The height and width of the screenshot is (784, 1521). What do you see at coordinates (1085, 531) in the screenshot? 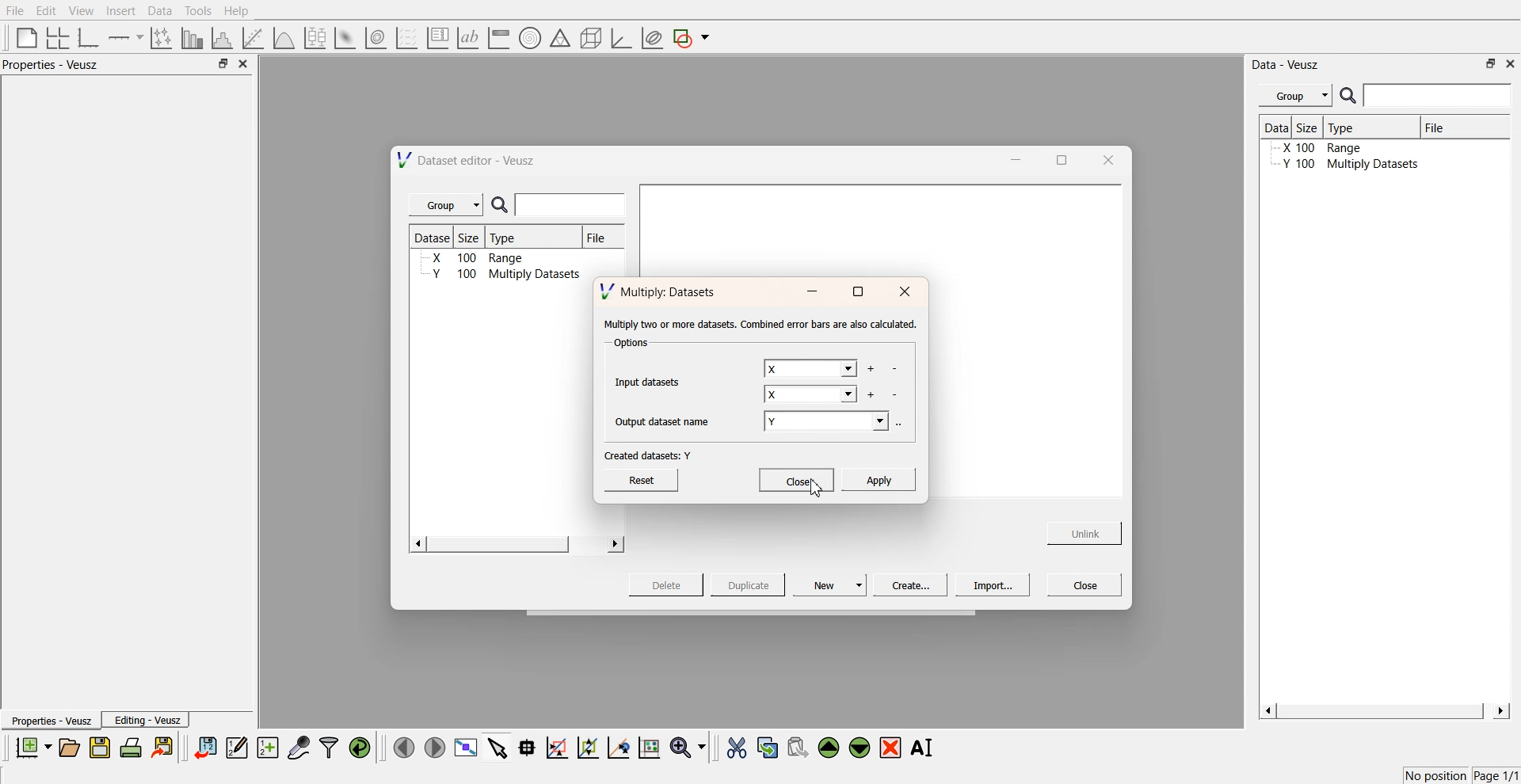
I see `Unlink` at bounding box center [1085, 531].